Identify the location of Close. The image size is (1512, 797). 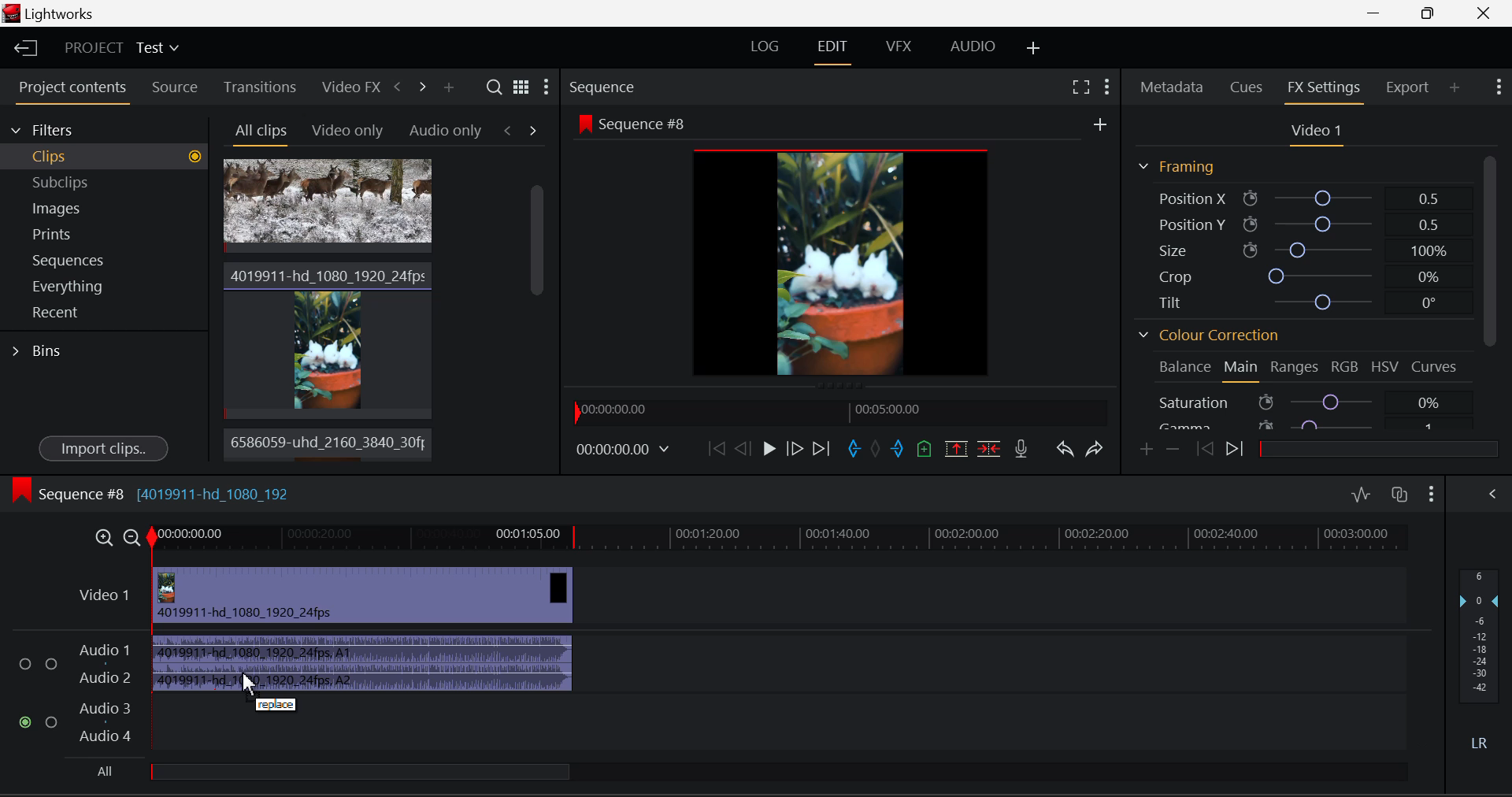
(1484, 13).